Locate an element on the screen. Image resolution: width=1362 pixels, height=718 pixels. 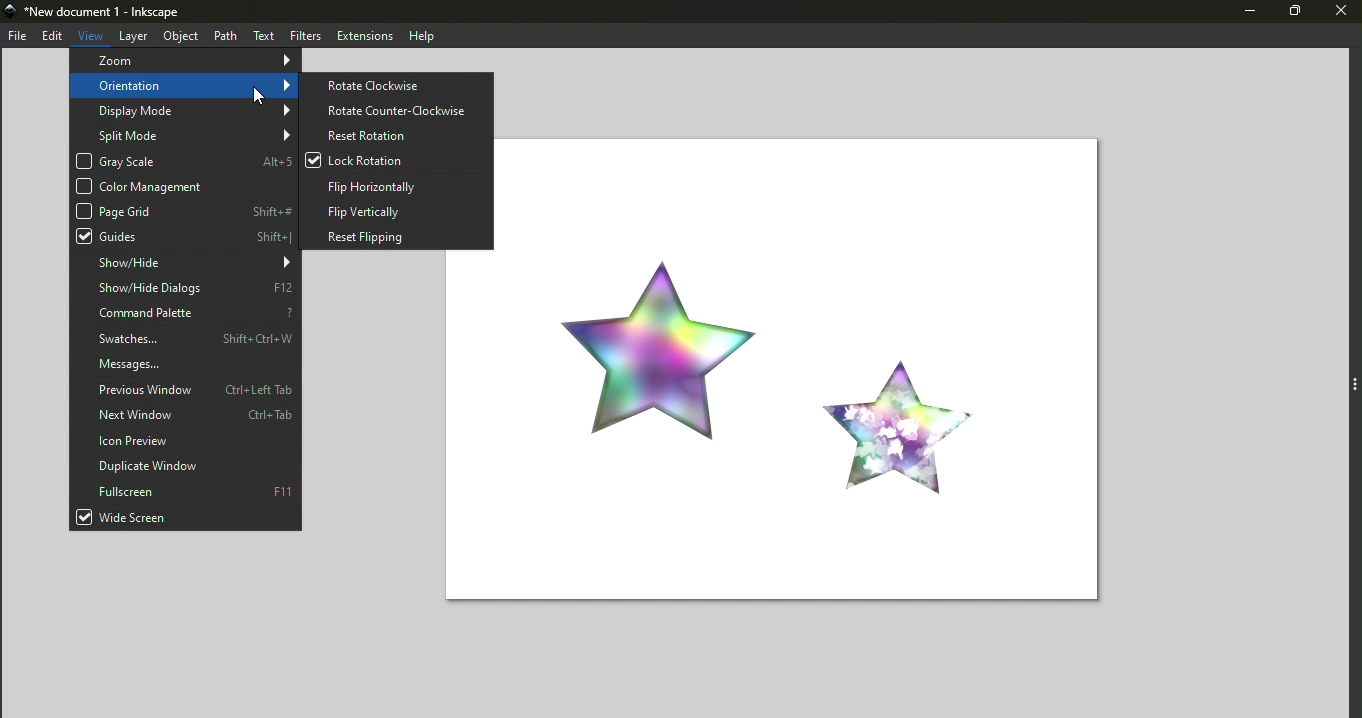
Close is located at coordinates (1339, 13).